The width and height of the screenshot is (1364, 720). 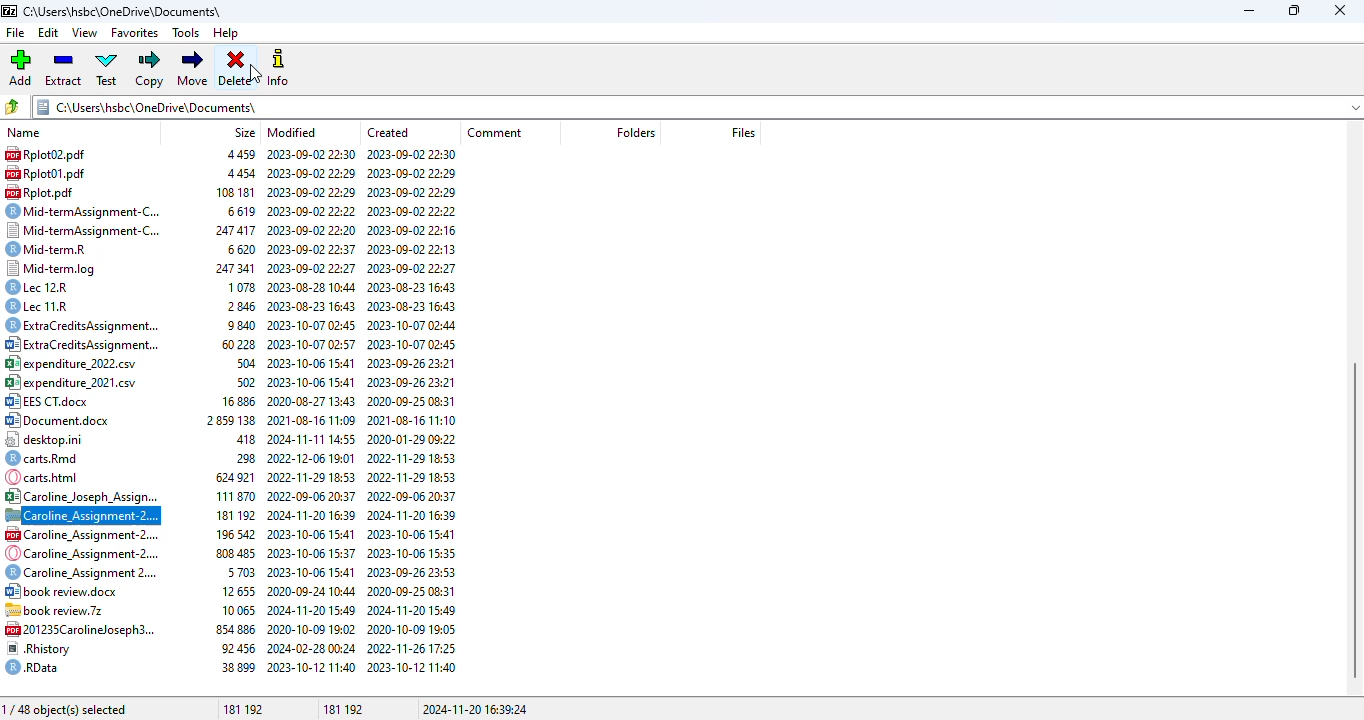 I want to click on &31201235Carolineloseph3.., so click(x=77, y=628).